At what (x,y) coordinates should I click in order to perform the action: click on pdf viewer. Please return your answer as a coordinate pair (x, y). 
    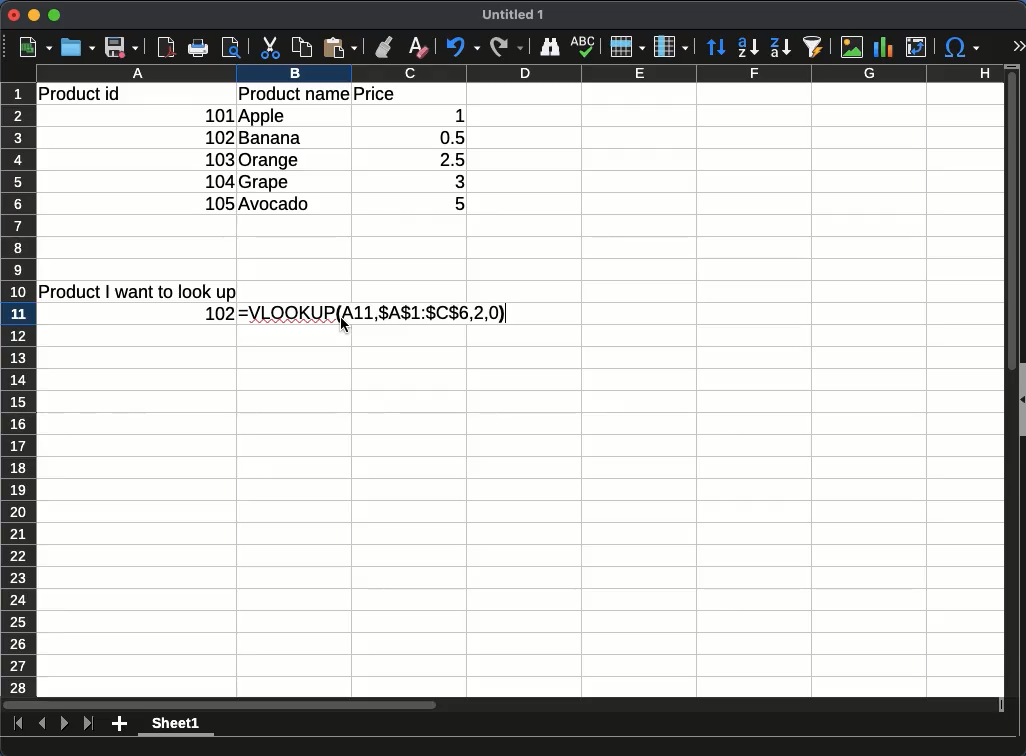
    Looking at the image, I should click on (166, 47).